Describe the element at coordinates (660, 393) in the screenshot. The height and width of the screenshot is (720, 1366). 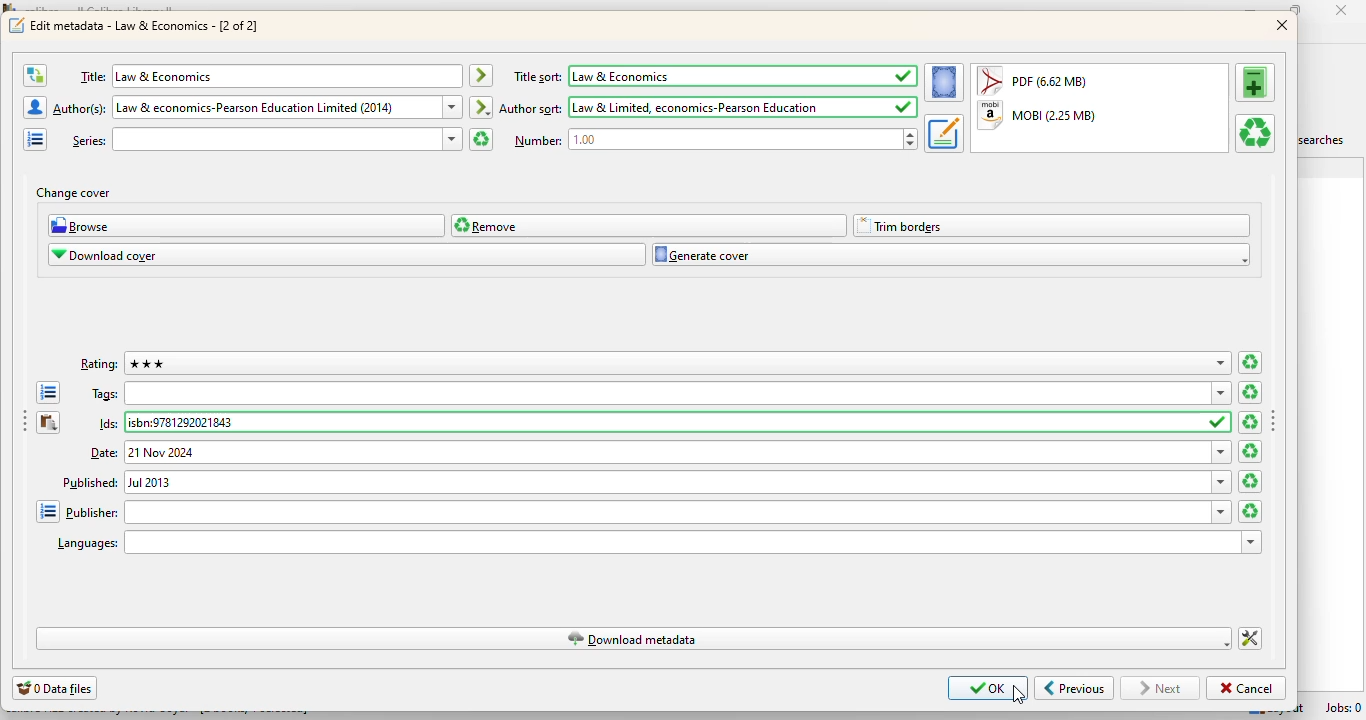
I see `tags: ` at that location.